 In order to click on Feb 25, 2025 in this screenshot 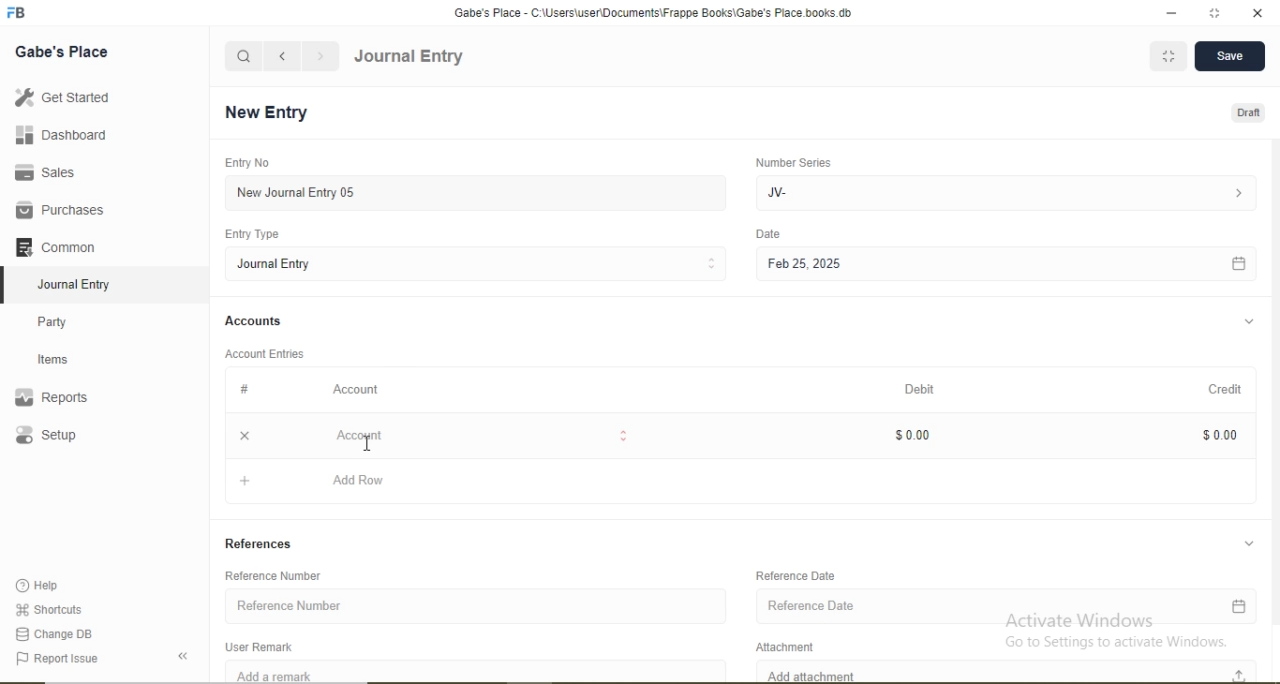, I will do `click(1005, 265)`.